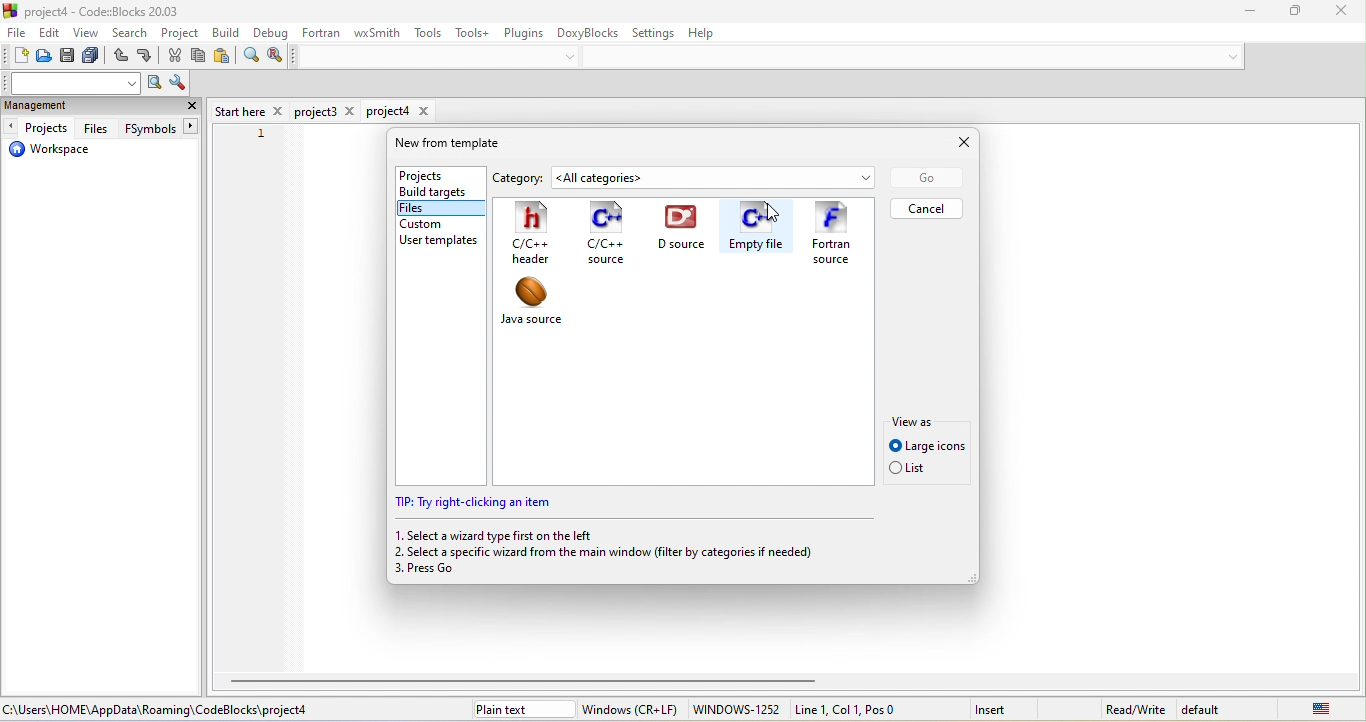 Image resolution: width=1366 pixels, height=722 pixels. Describe the element at coordinates (15, 57) in the screenshot. I see `new` at that location.